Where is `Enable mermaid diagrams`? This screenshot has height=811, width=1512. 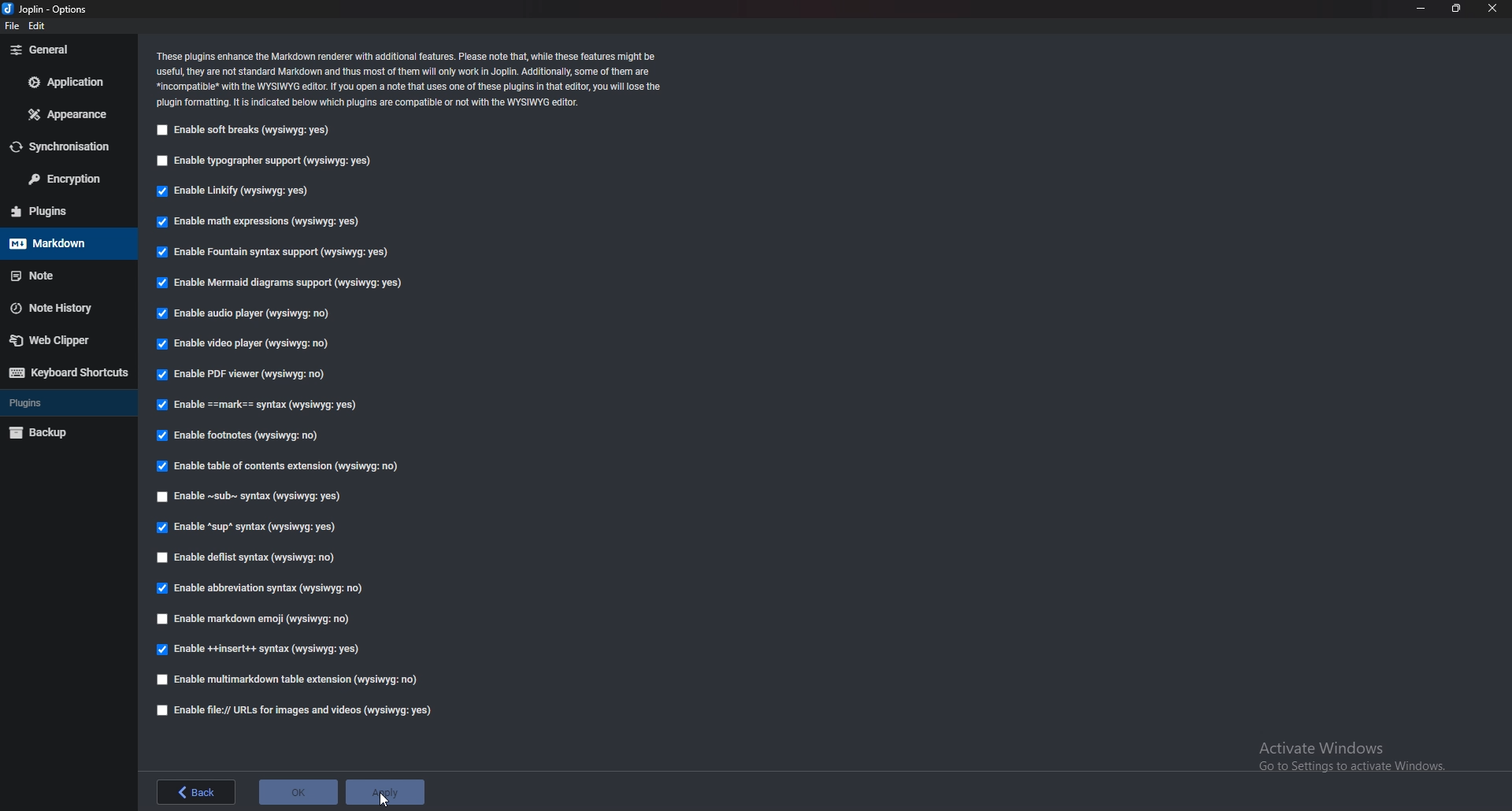 Enable mermaid diagrams is located at coordinates (286, 283).